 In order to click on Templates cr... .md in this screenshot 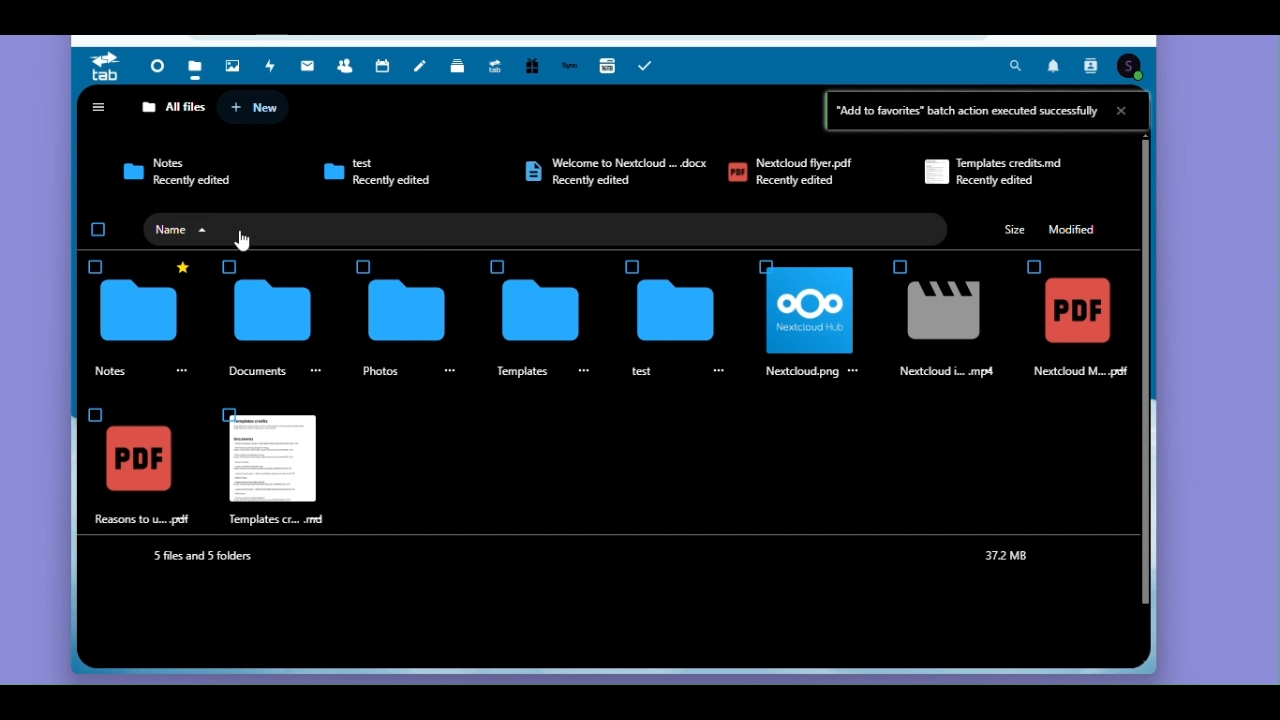, I will do `click(286, 519)`.